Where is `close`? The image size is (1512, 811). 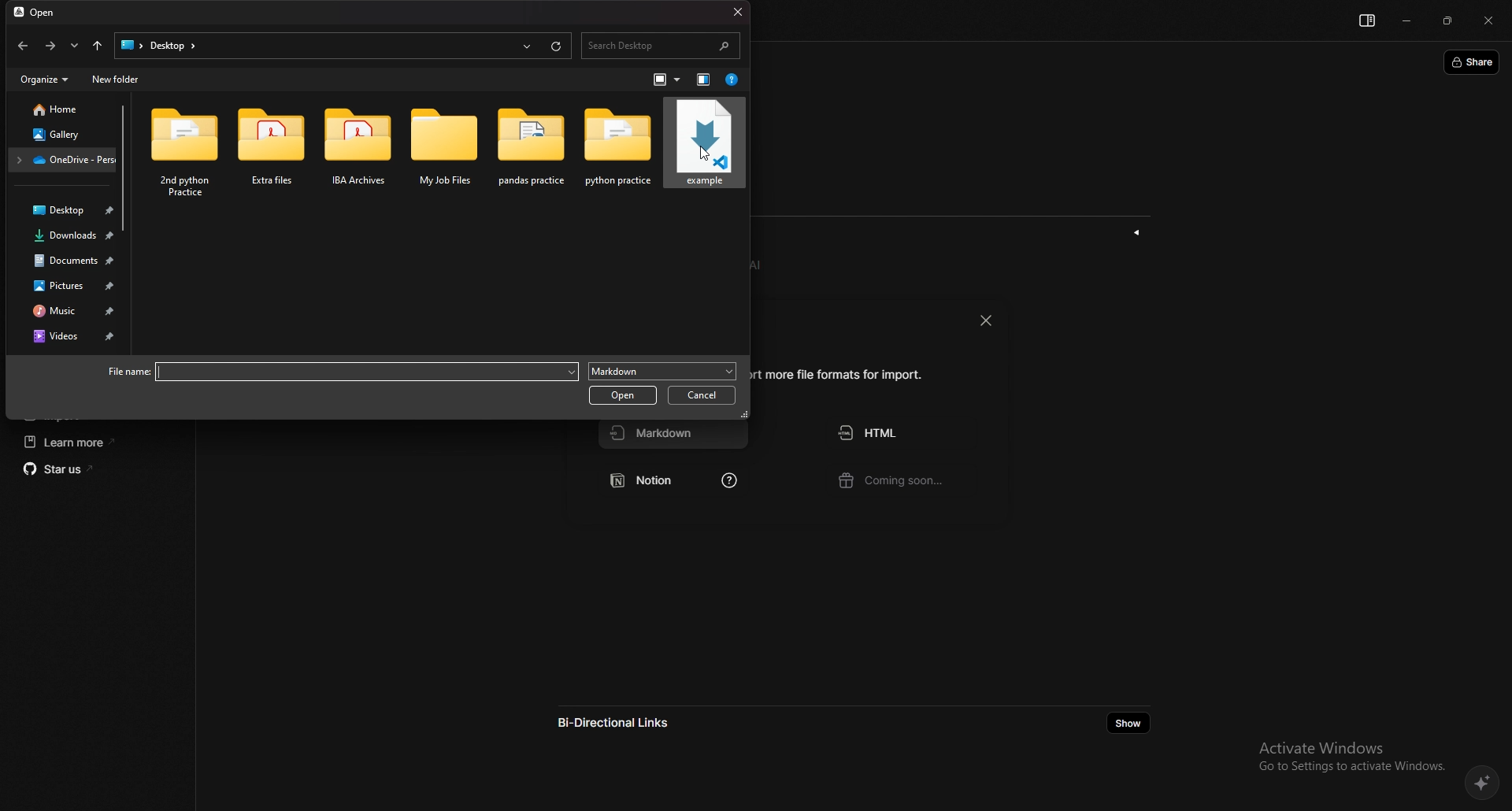
close is located at coordinates (732, 12).